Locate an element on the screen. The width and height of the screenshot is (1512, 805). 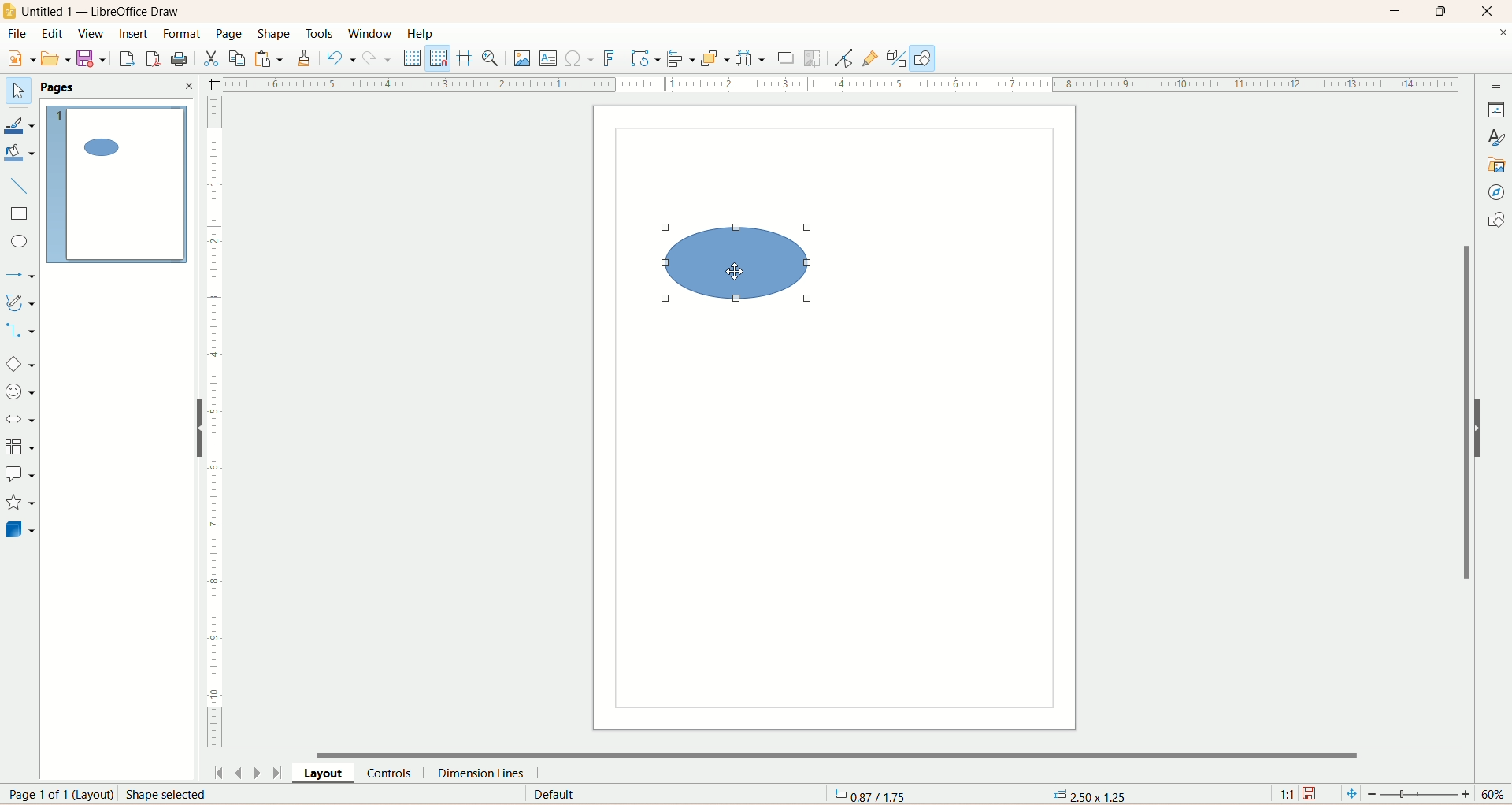
hide is located at coordinates (193, 427).